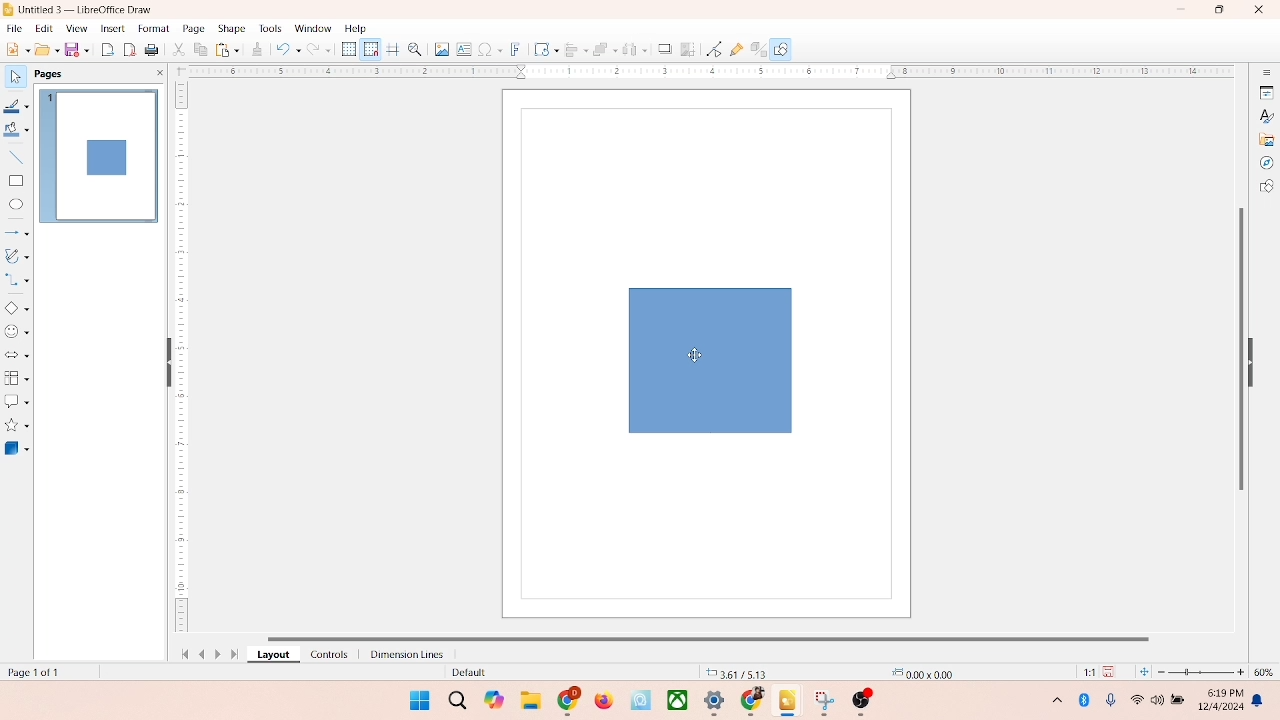 Image resolution: width=1280 pixels, height=720 pixels. What do you see at coordinates (226, 49) in the screenshot?
I see `print` at bounding box center [226, 49].